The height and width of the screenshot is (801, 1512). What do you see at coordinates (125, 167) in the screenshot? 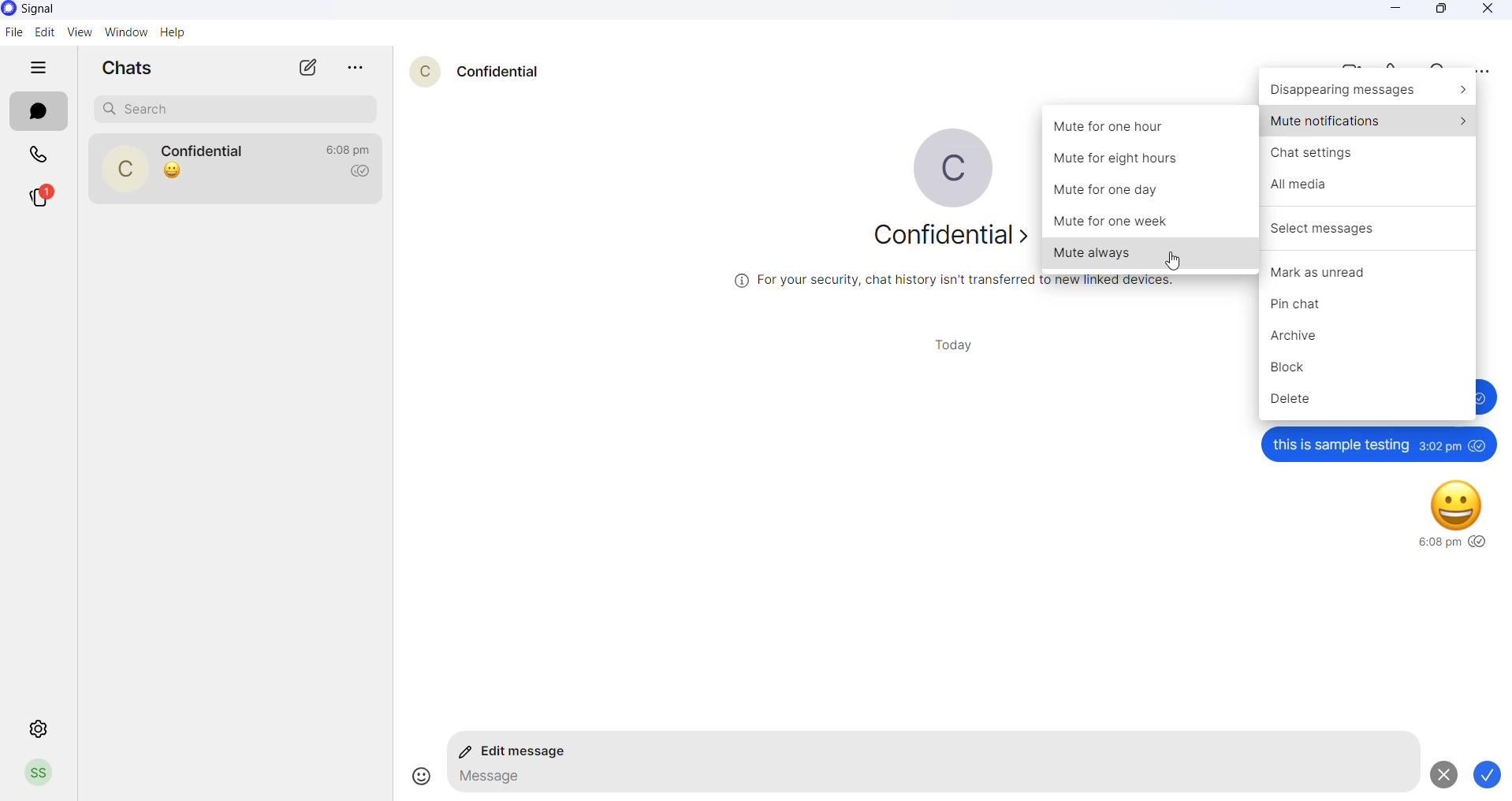
I see `profile picture` at bounding box center [125, 167].